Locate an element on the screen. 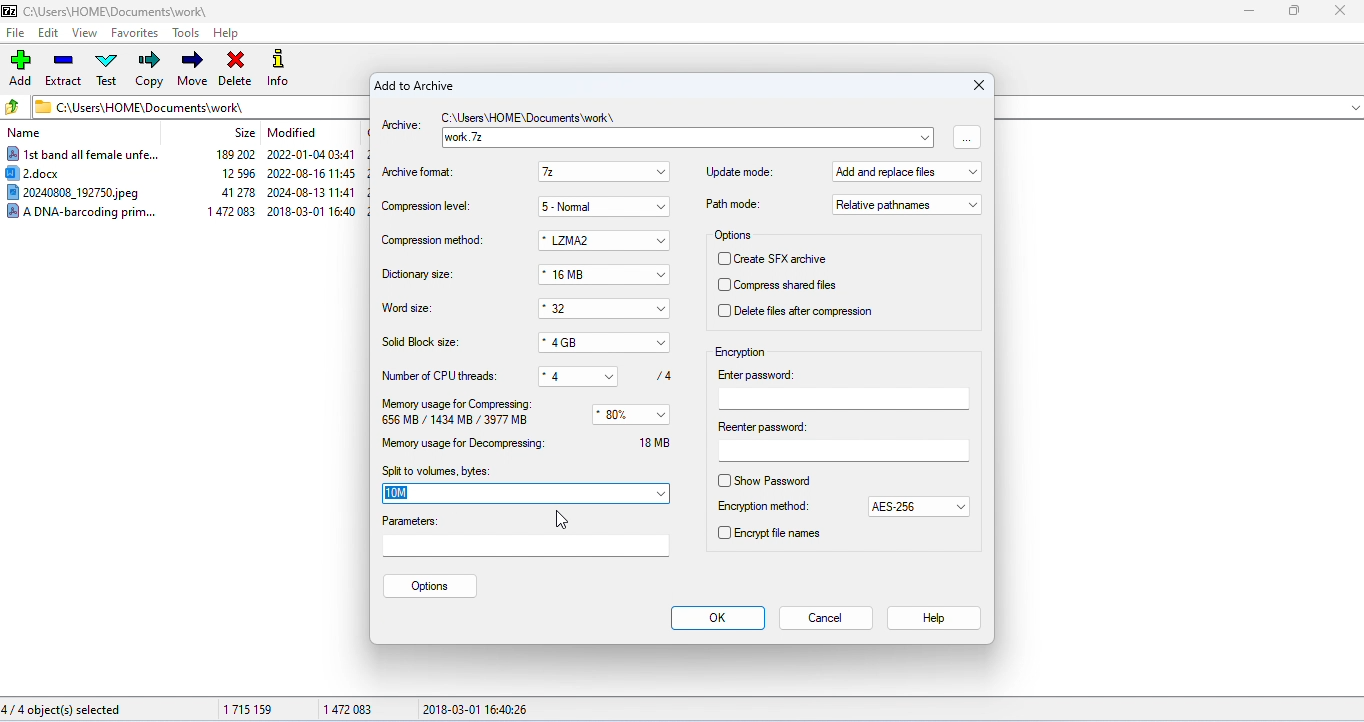 This screenshot has width=1364, height=722. drop down is located at coordinates (662, 343).